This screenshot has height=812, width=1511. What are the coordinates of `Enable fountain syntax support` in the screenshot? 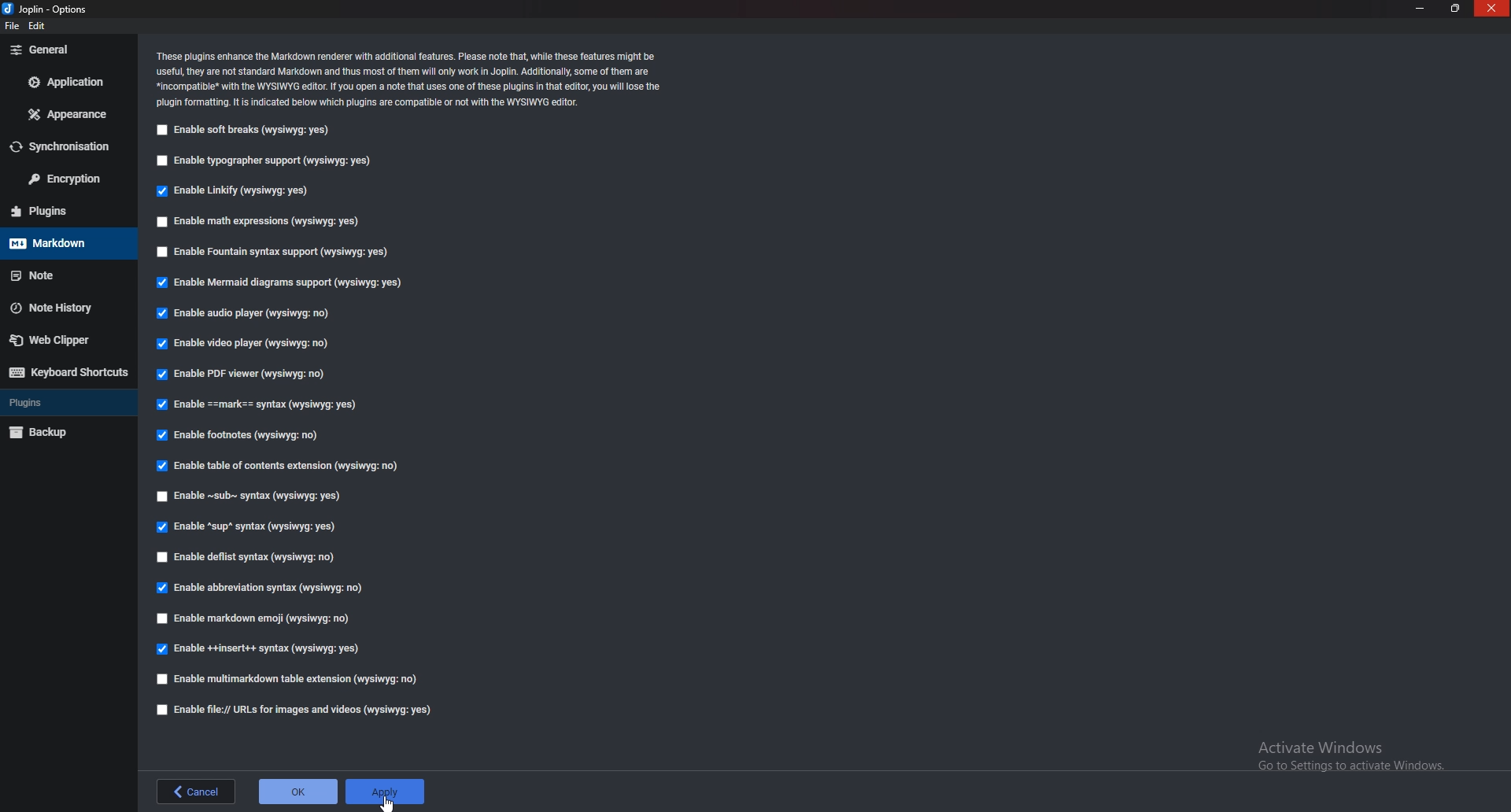 It's located at (282, 252).